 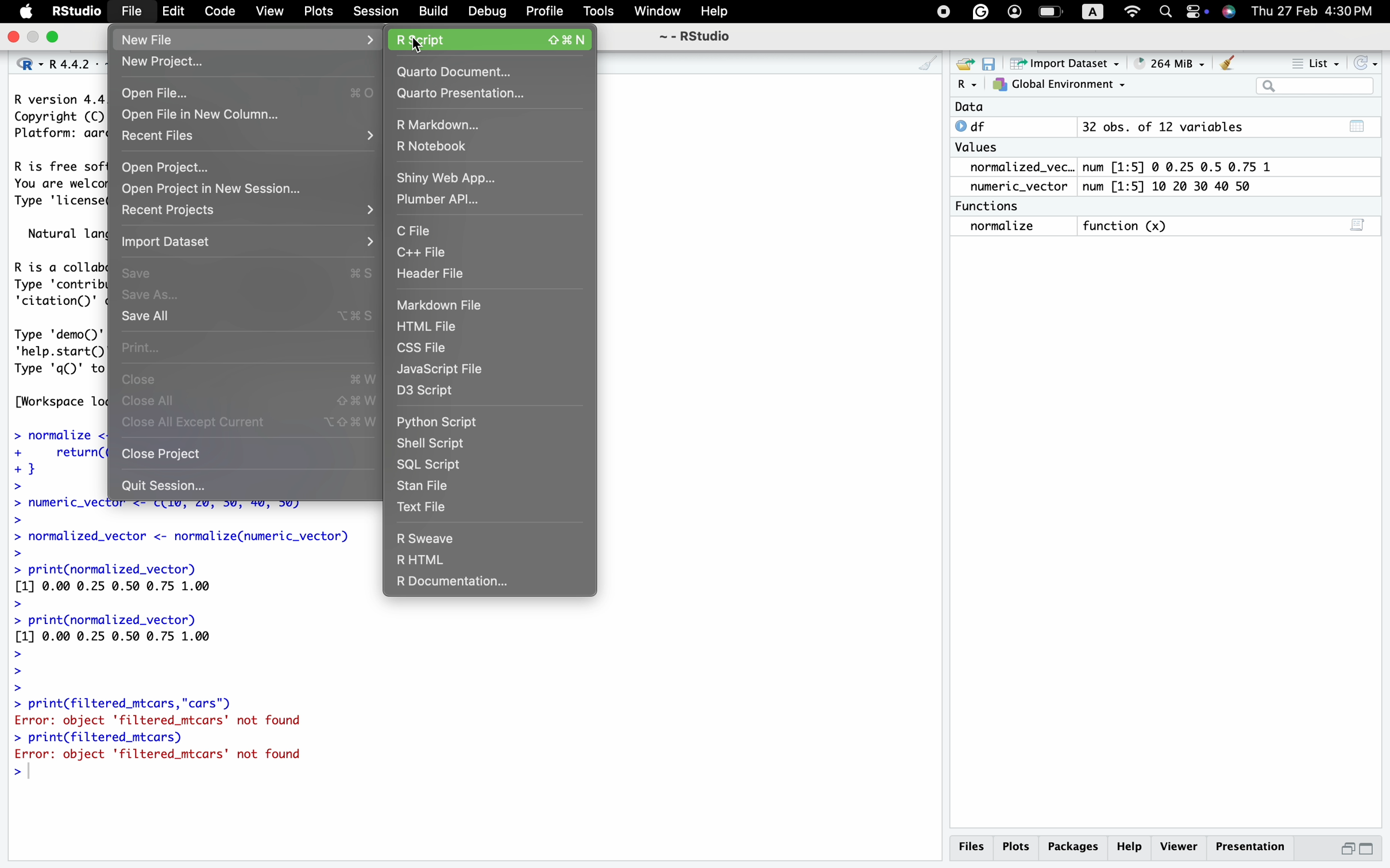 I want to click on normalize <
return
}, so click(x=55, y=459).